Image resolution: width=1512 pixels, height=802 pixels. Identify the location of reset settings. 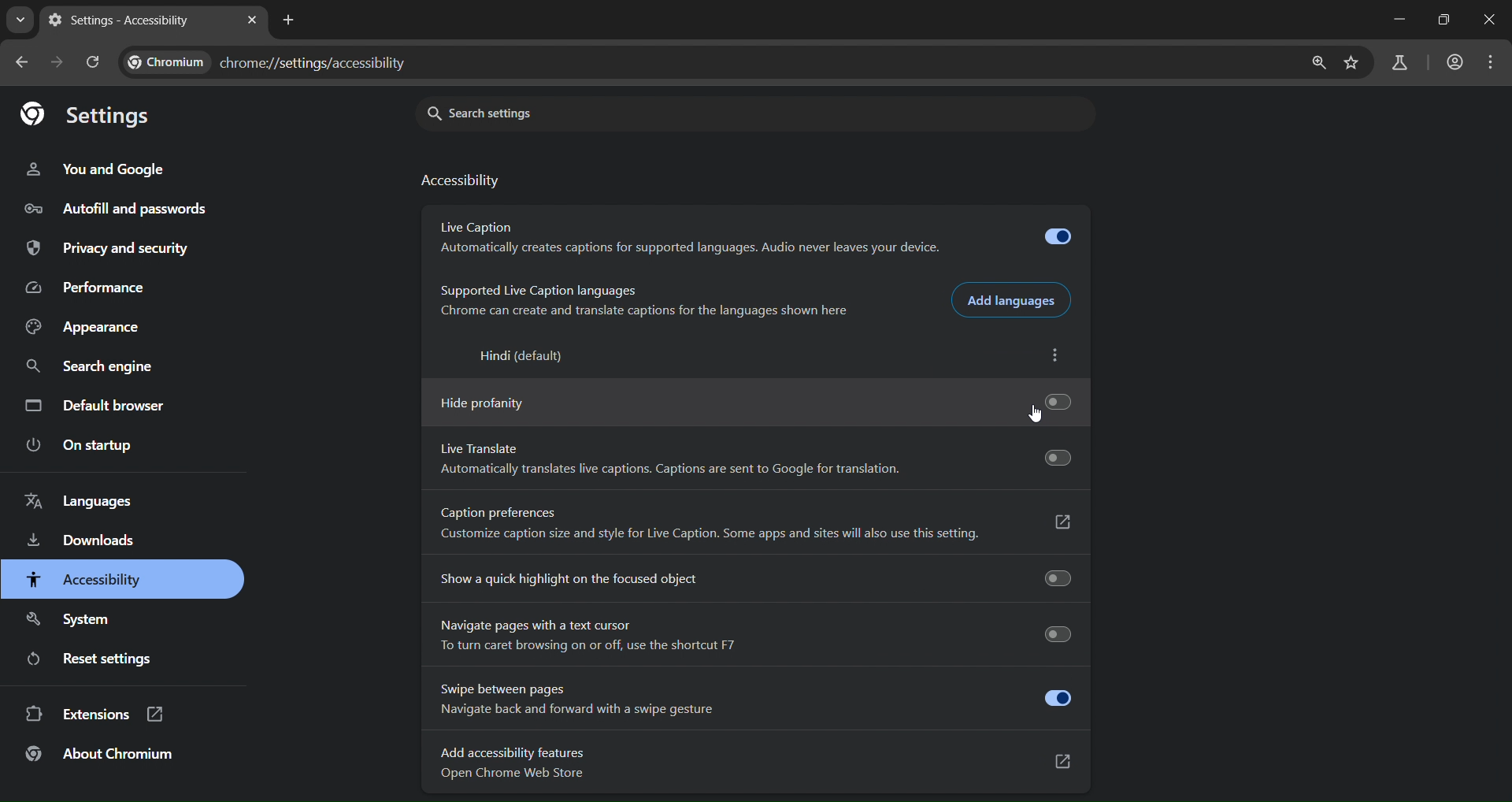
(98, 658).